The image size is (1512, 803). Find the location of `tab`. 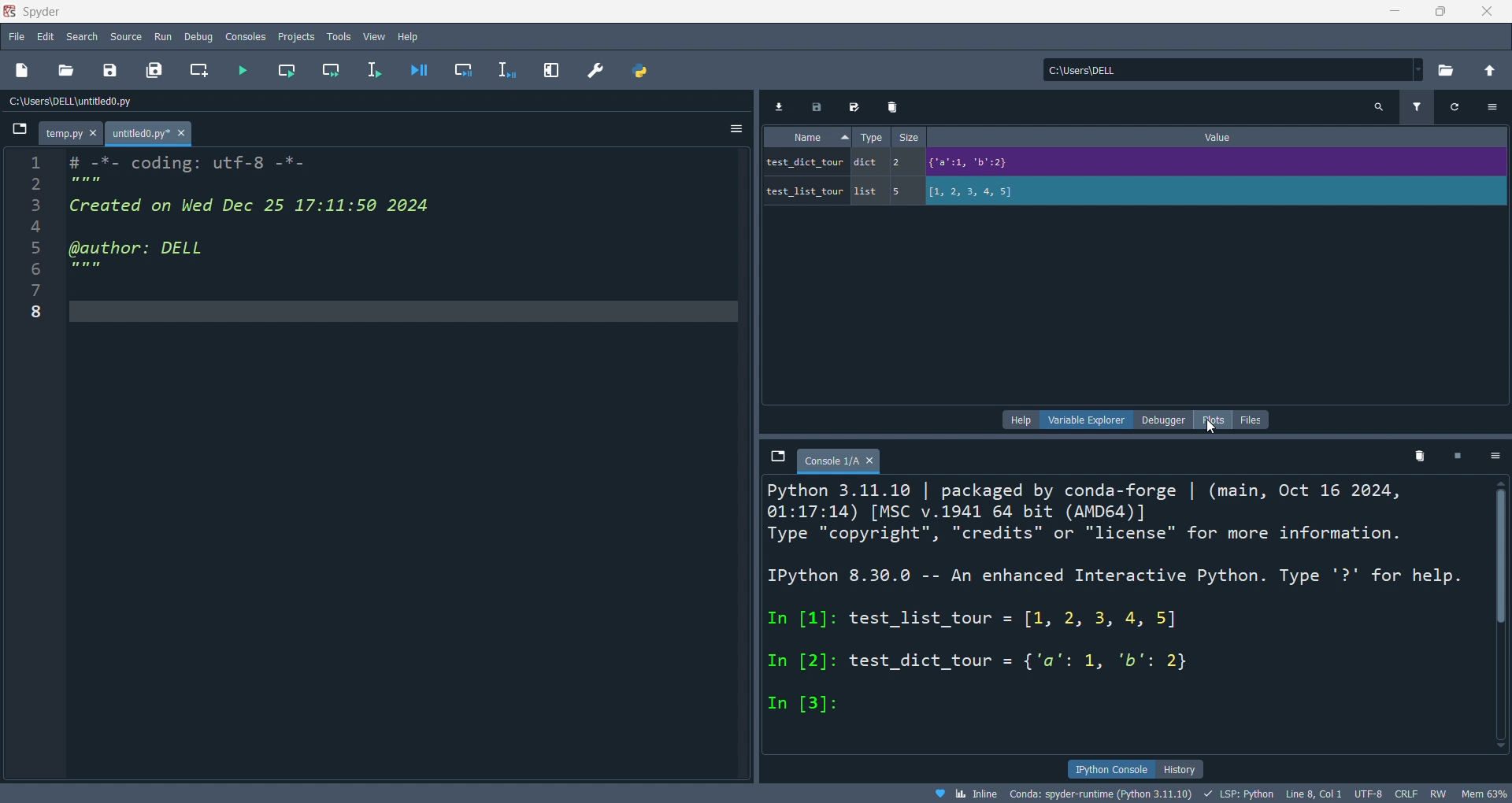

tab is located at coordinates (73, 133).